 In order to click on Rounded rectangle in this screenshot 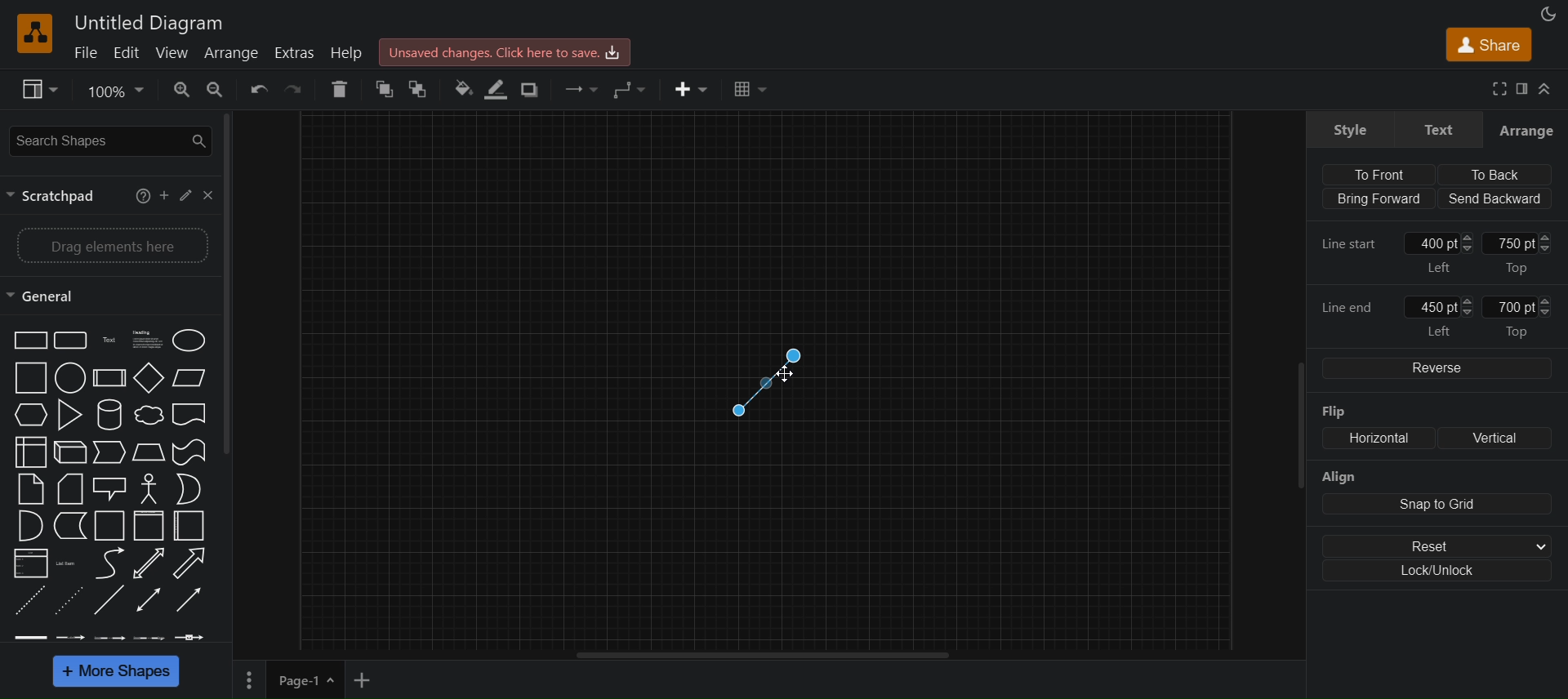, I will do `click(69, 340)`.